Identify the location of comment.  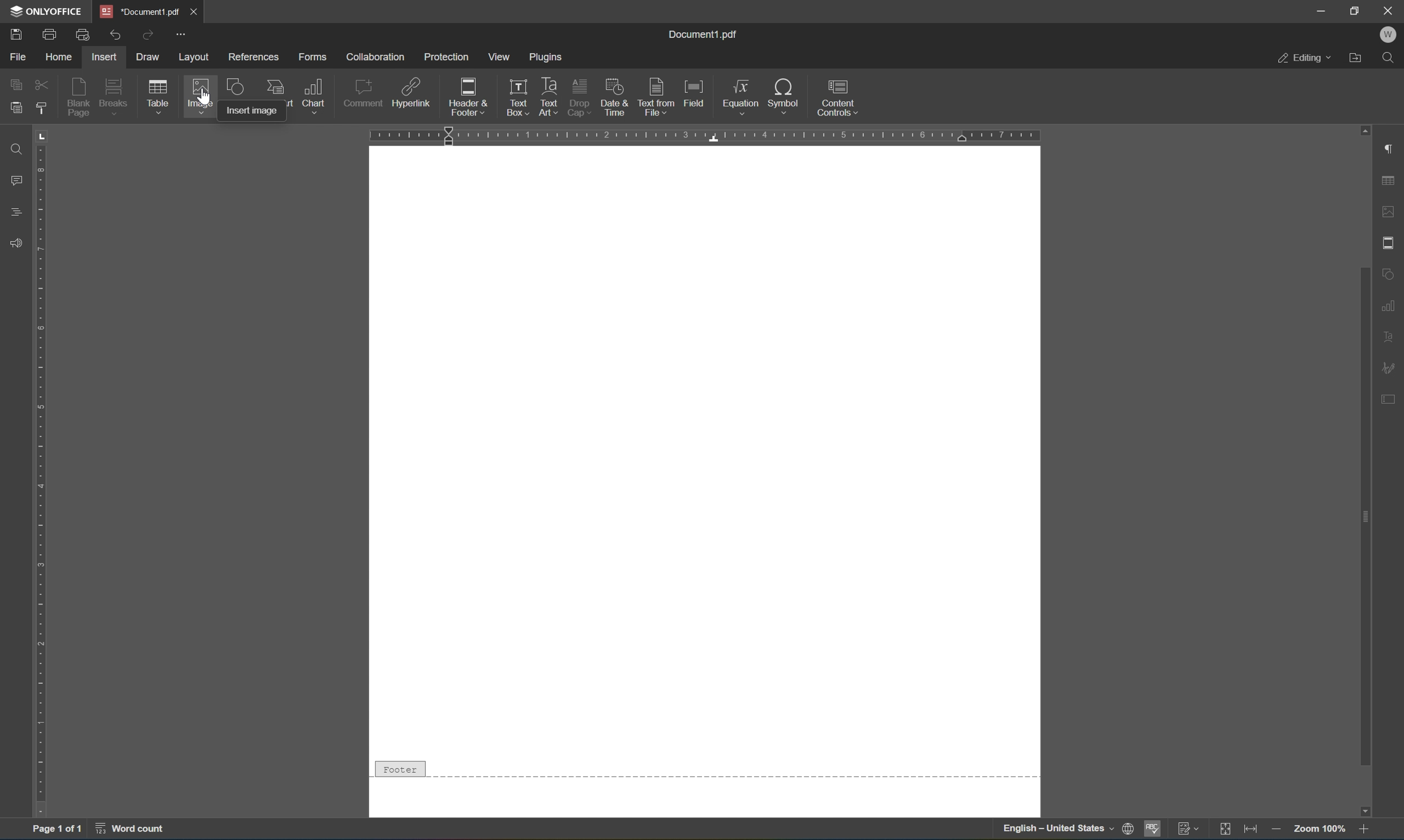
(364, 93).